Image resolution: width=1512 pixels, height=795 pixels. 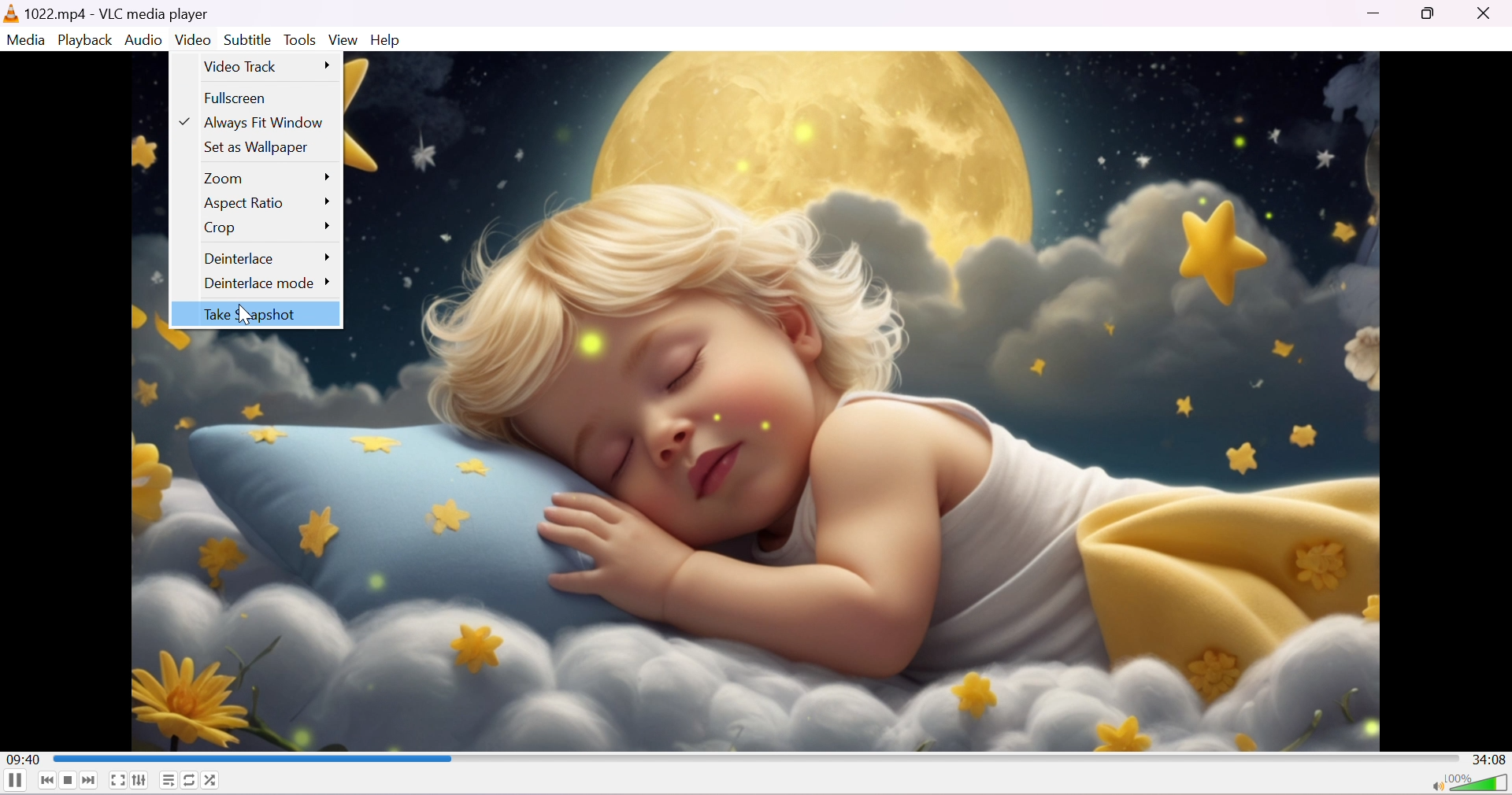 I want to click on 1022.mp4 - VLC media player, so click(x=117, y=13).